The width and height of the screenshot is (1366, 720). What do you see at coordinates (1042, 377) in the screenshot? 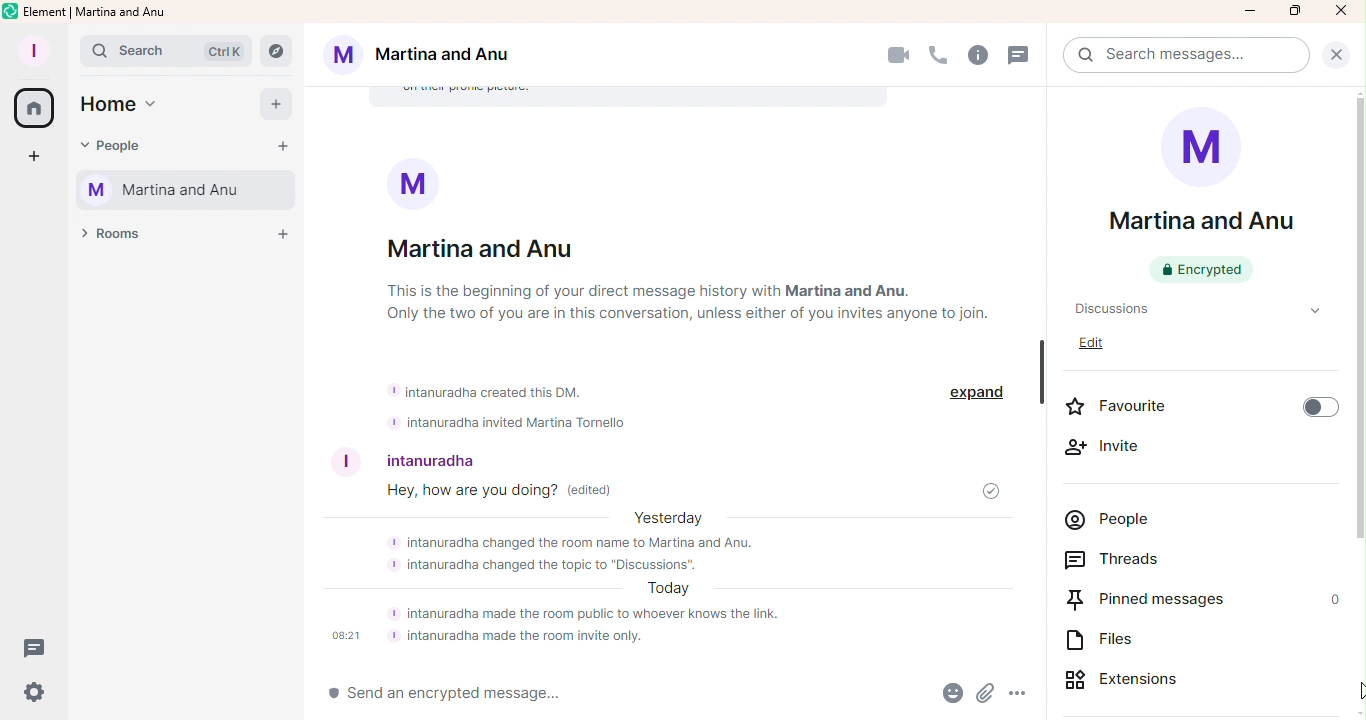
I see `Scroll Bar` at bounding box center [1042, 377].